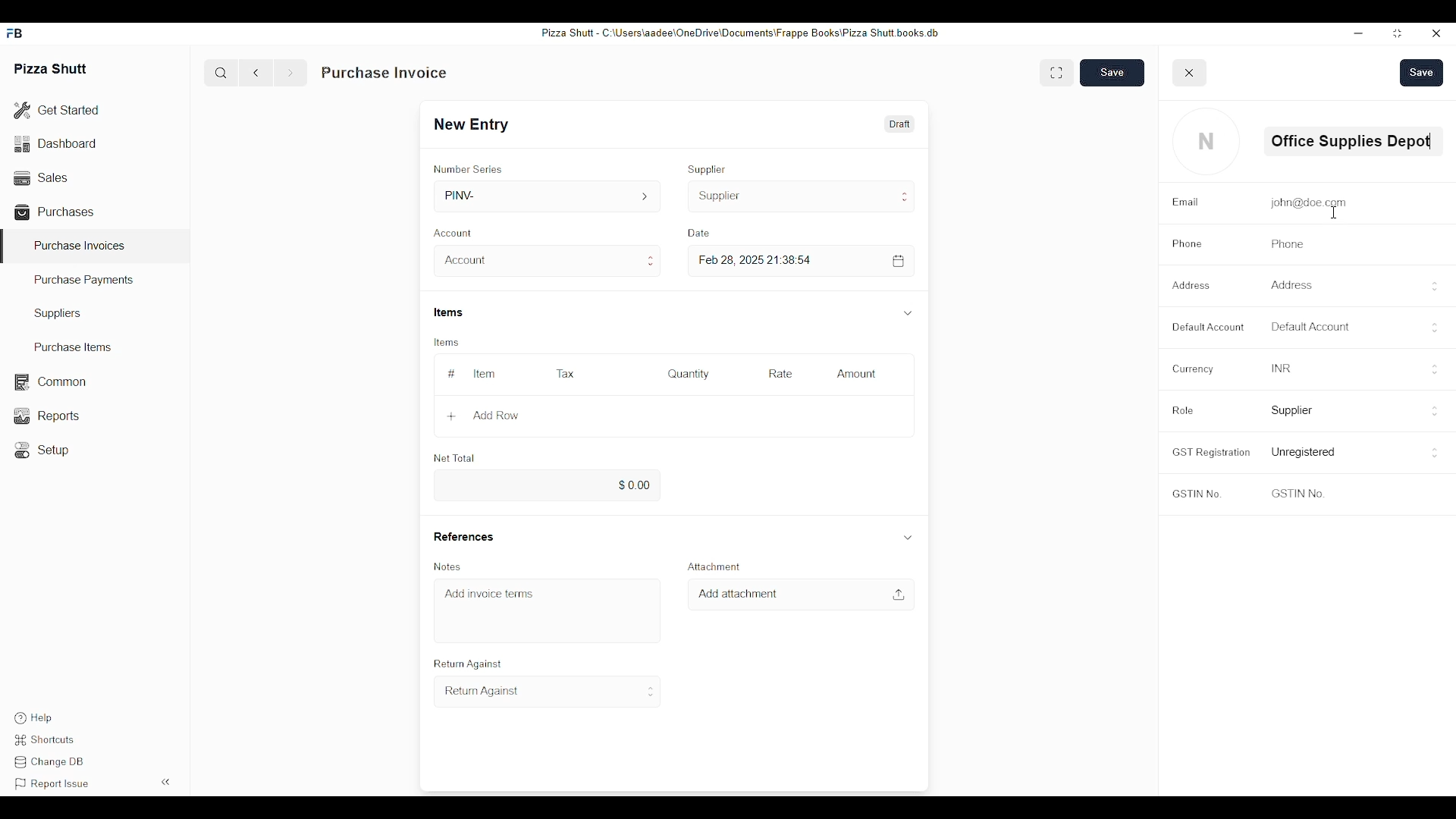  I want to click on Notes, so click(450, 566).